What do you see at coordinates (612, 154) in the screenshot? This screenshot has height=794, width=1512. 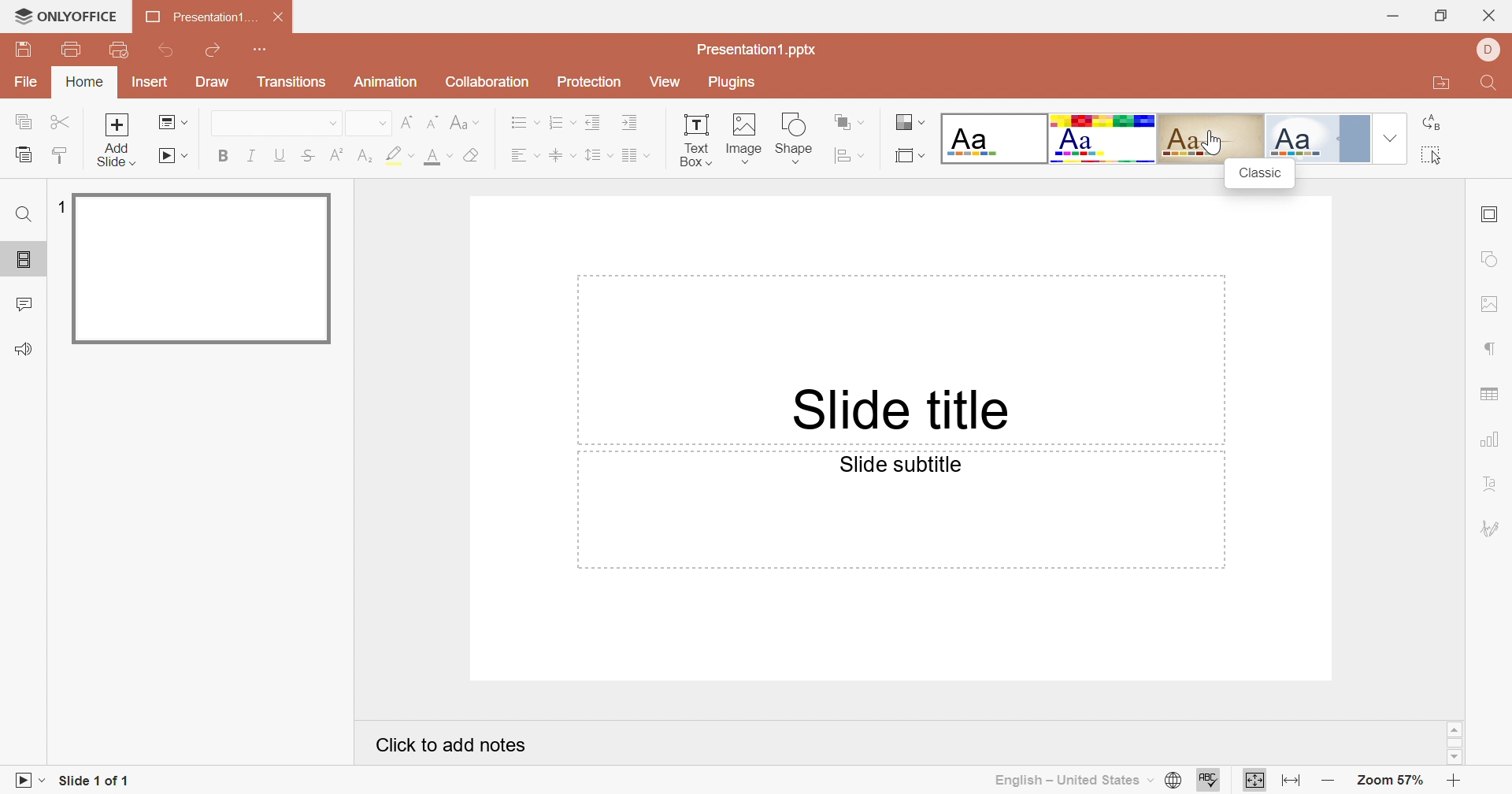 I see `Drop Down` at bounding box center [612, 154].